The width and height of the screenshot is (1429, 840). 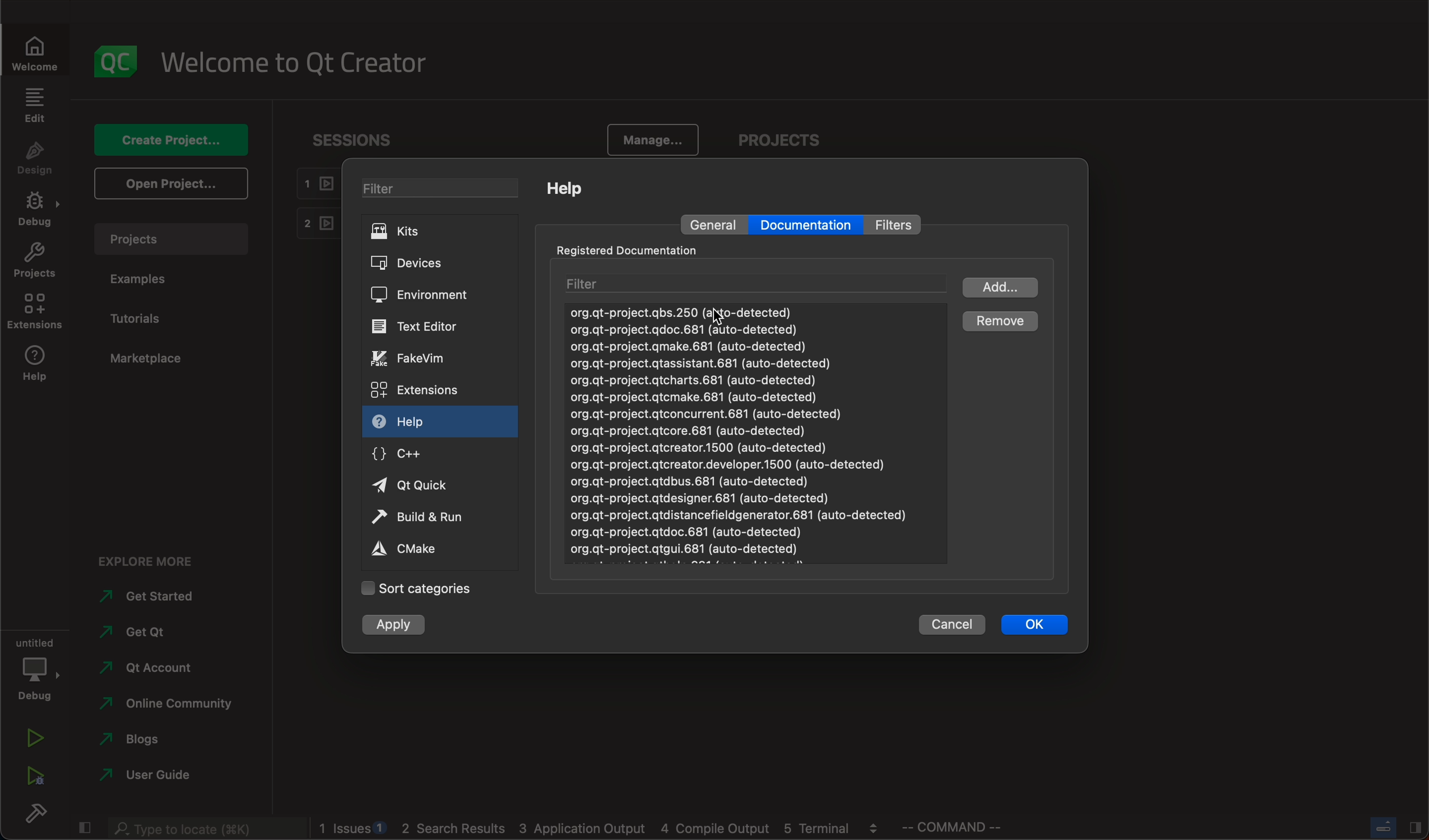 What do you see at coordinates (729, 321) in the screenshot?
I see `cursor` at bounding box center [729, 321].